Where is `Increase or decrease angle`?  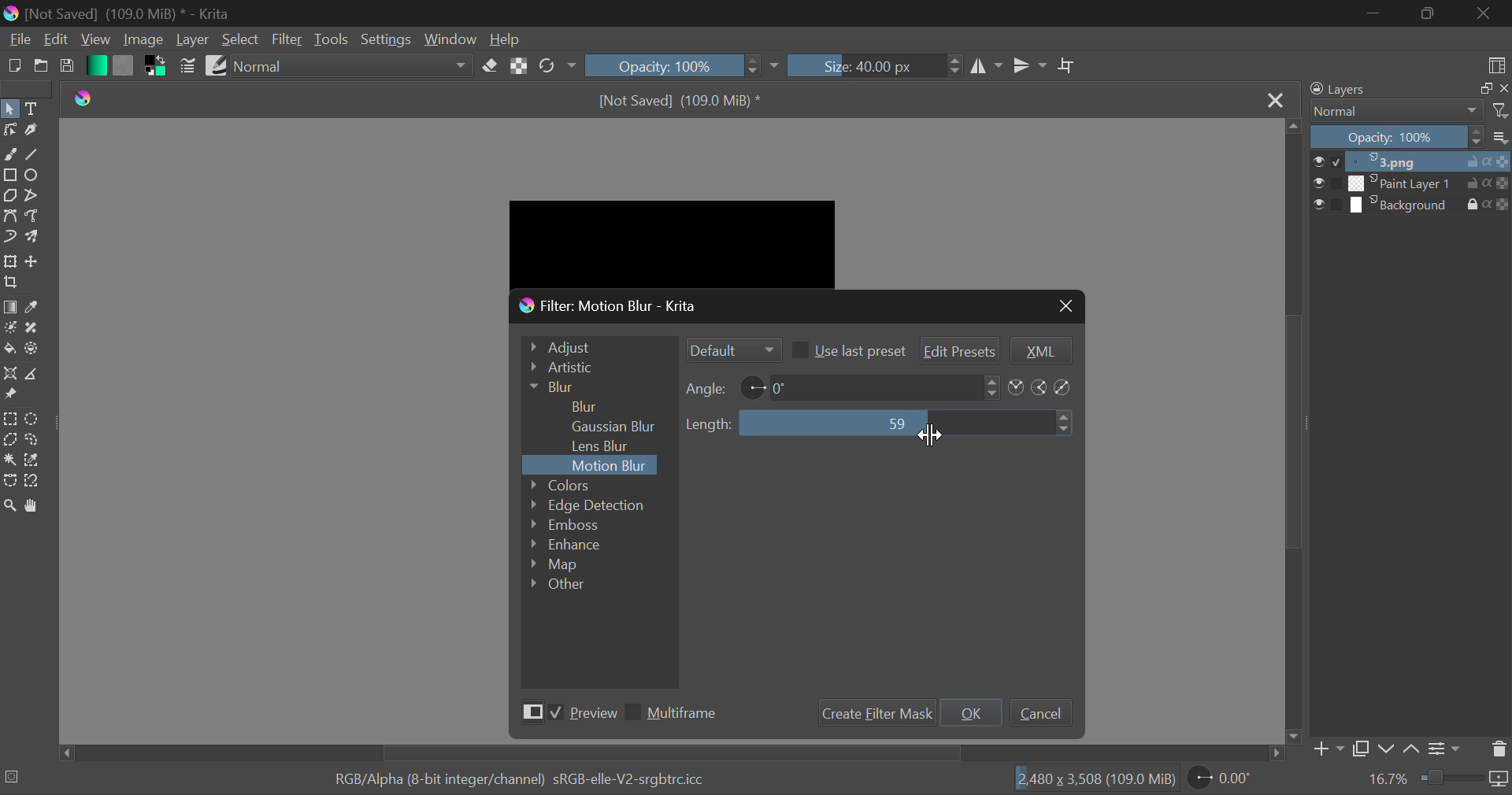
Increase or decrease angle is located at coordinates (992, 386).